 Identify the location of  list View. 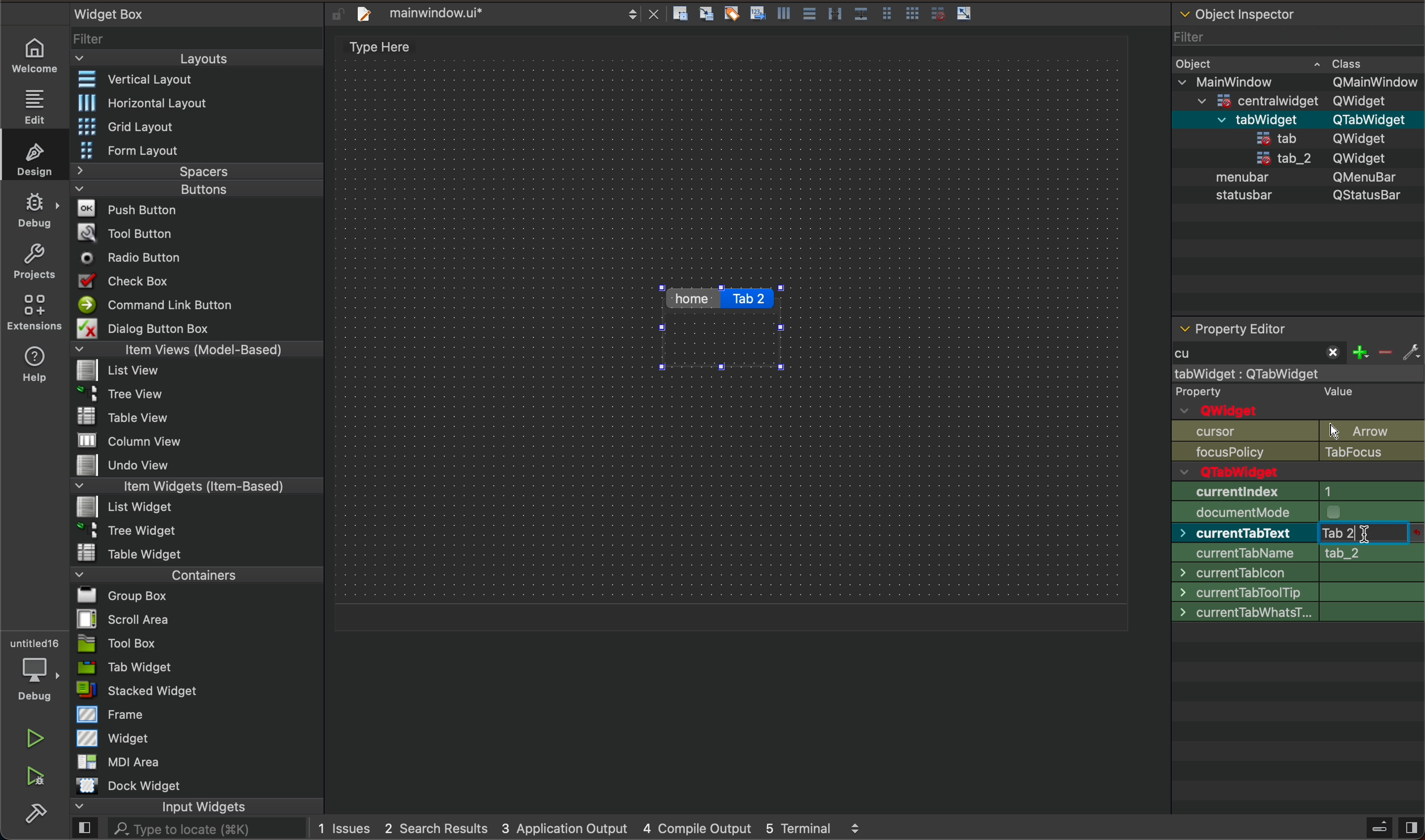
(119, 371).